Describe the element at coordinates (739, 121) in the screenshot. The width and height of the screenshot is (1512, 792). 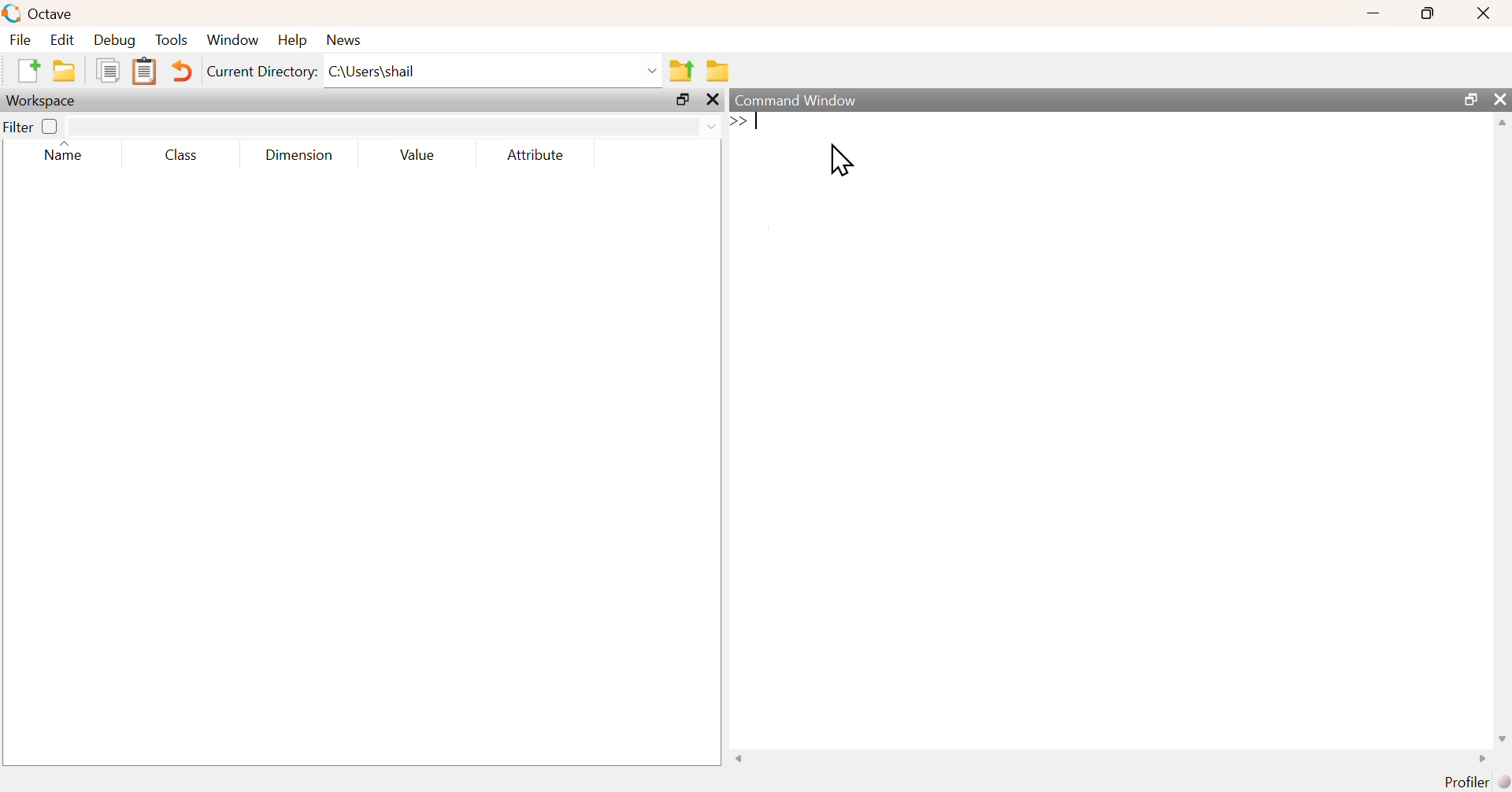
I see `New Line` at that location.